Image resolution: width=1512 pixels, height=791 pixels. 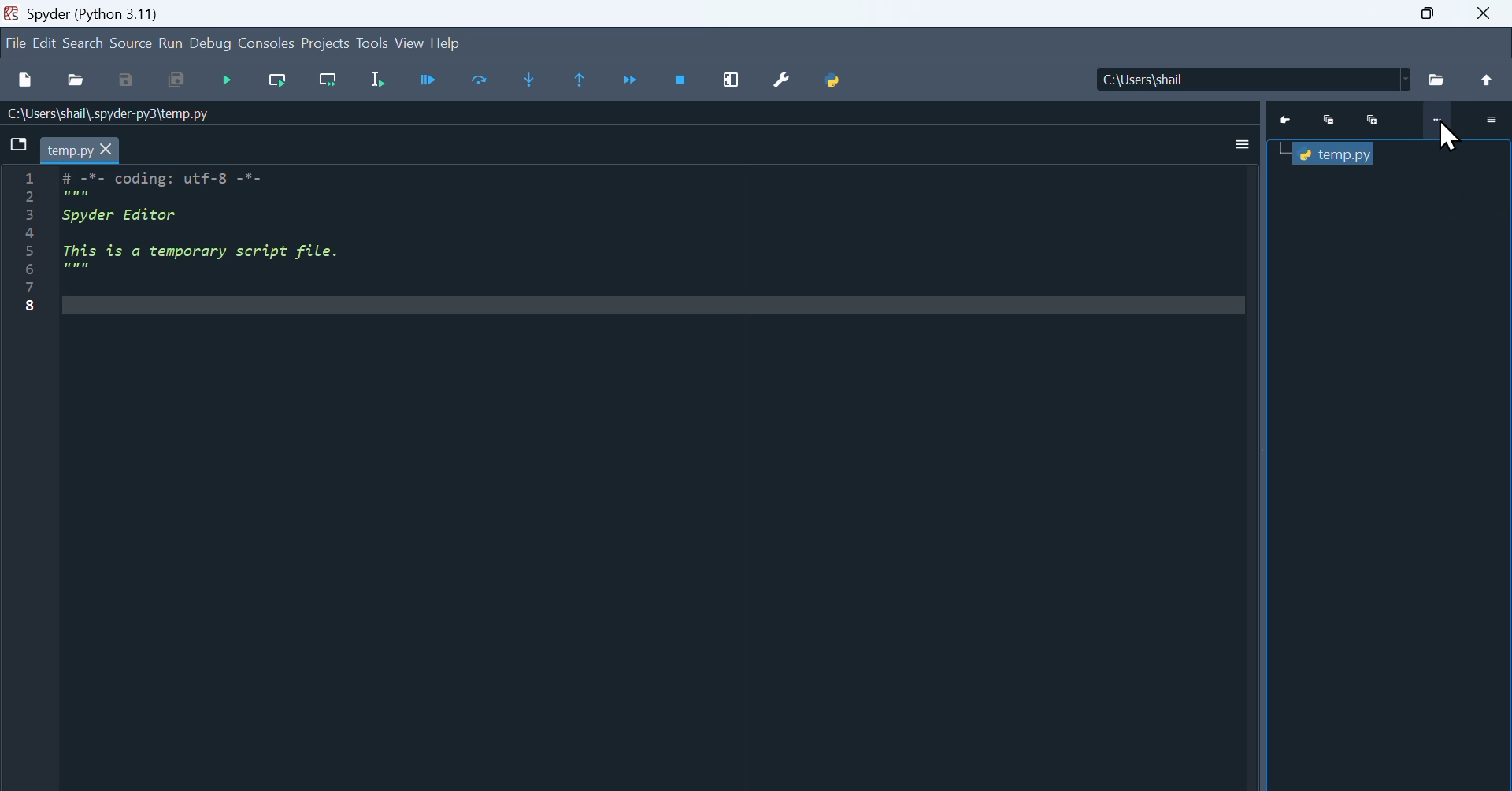 I want to click on Step into function or method, so click(x=529, y=81).